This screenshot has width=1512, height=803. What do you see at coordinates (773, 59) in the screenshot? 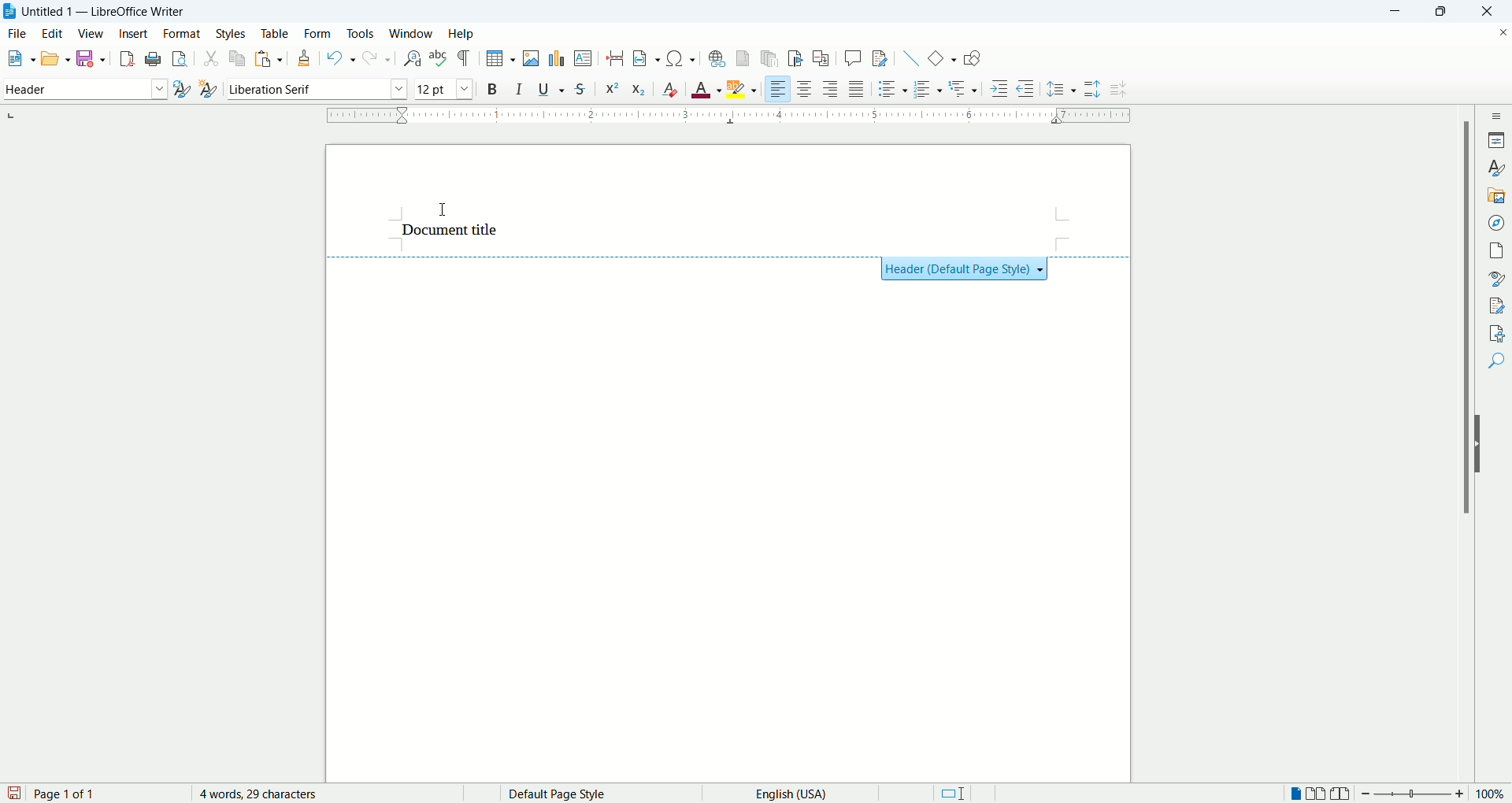
I see `insert endnote` at bounding box center [773, 59].